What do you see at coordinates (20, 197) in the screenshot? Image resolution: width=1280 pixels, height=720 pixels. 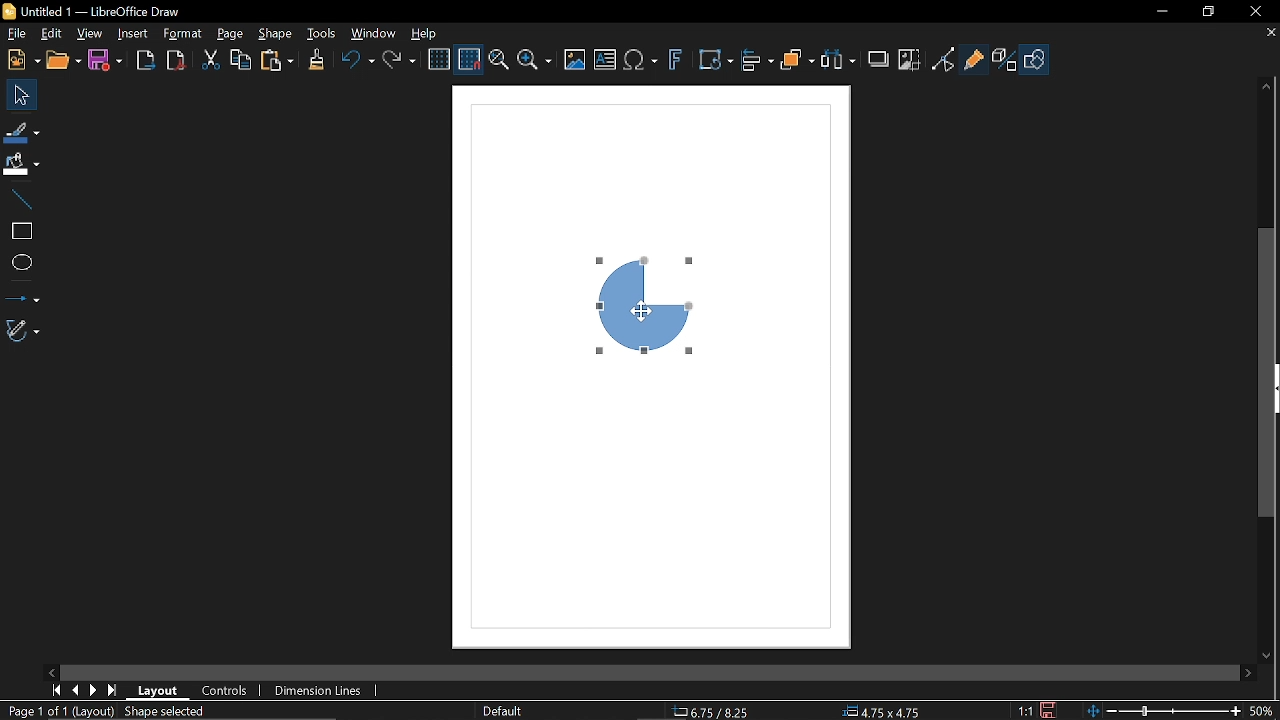 I see `Line` at bounding box center [20, 197].